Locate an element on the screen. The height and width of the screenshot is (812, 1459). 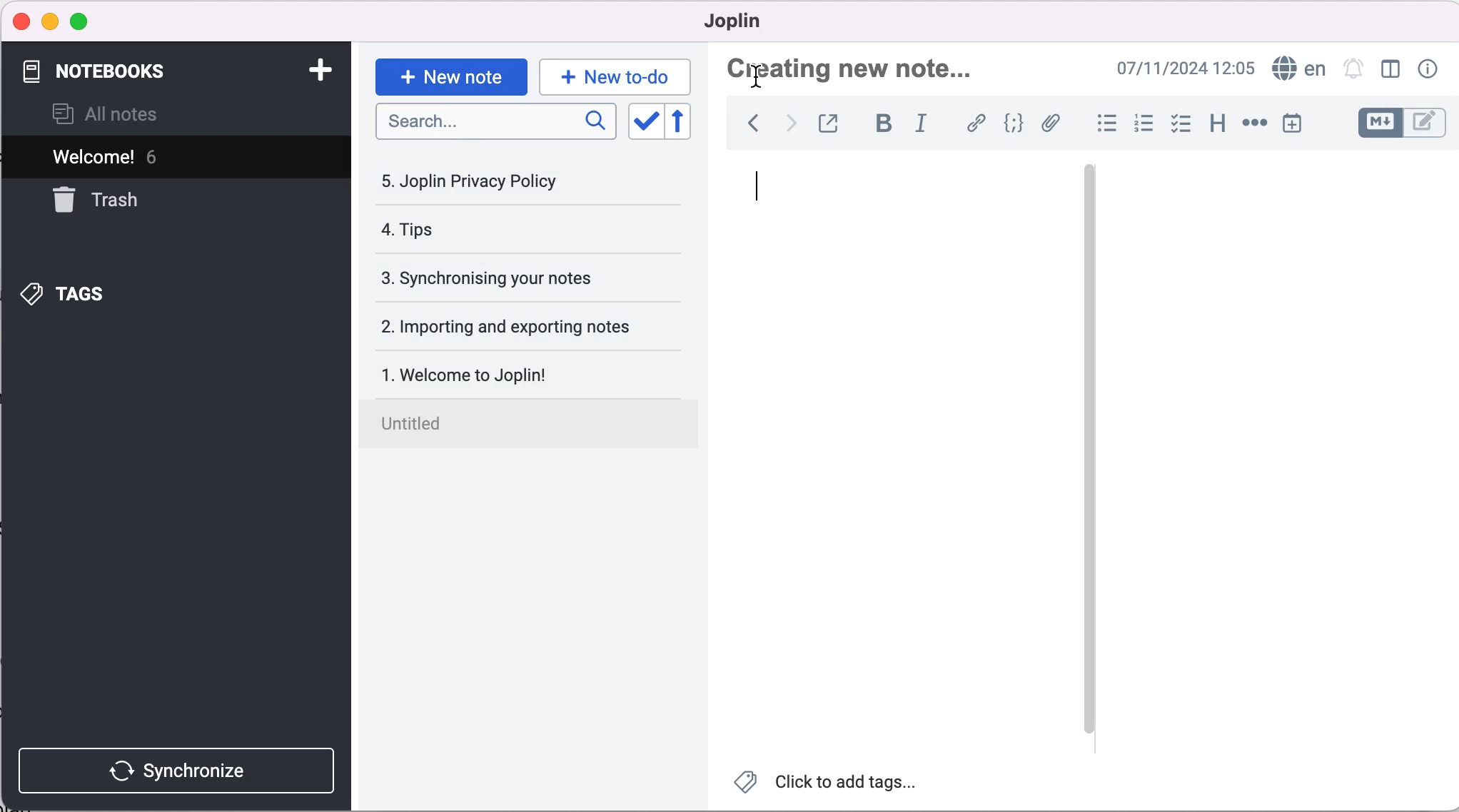
new note is located at coordinates (450, 71).